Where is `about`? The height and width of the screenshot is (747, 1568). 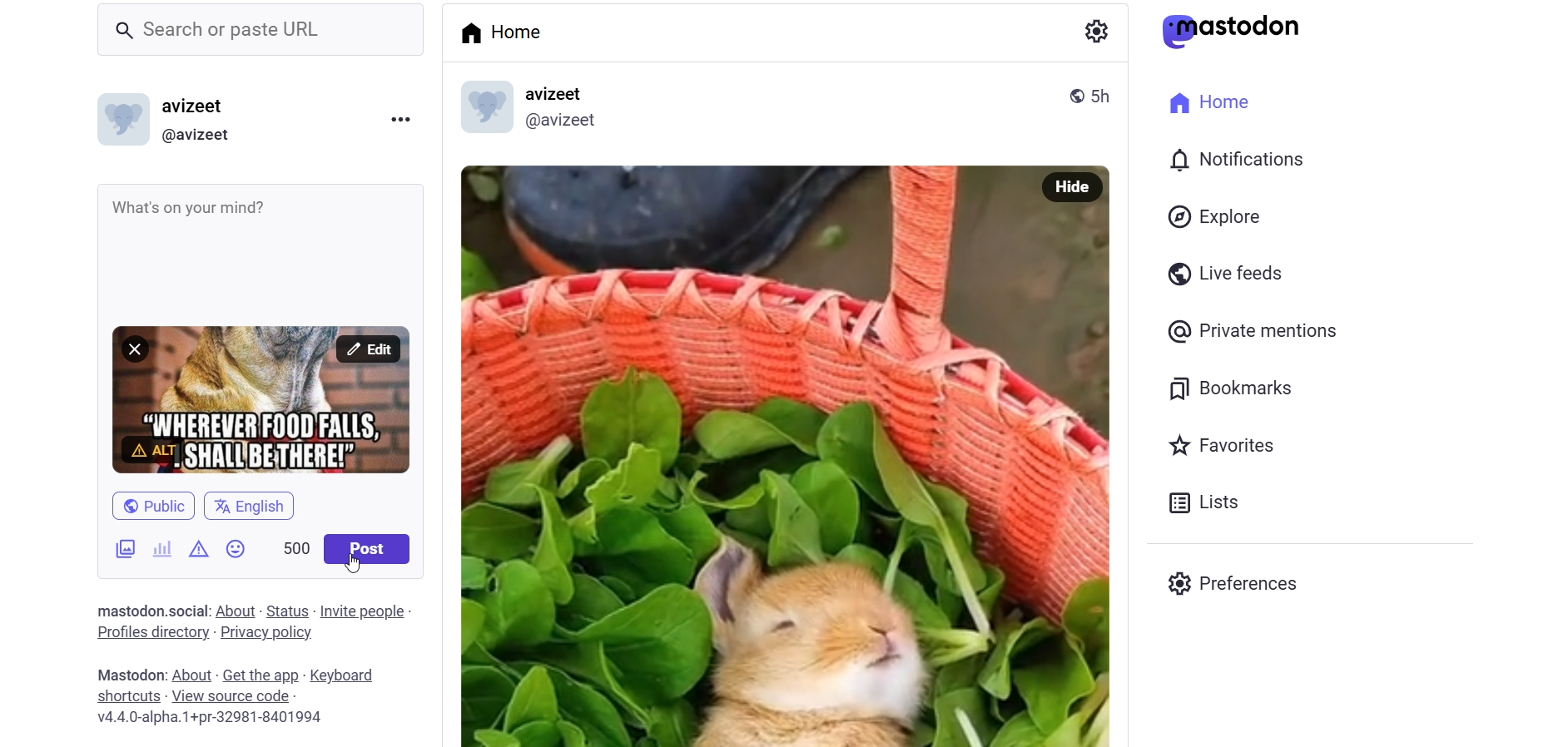 about is located at coordinates (192, 675).